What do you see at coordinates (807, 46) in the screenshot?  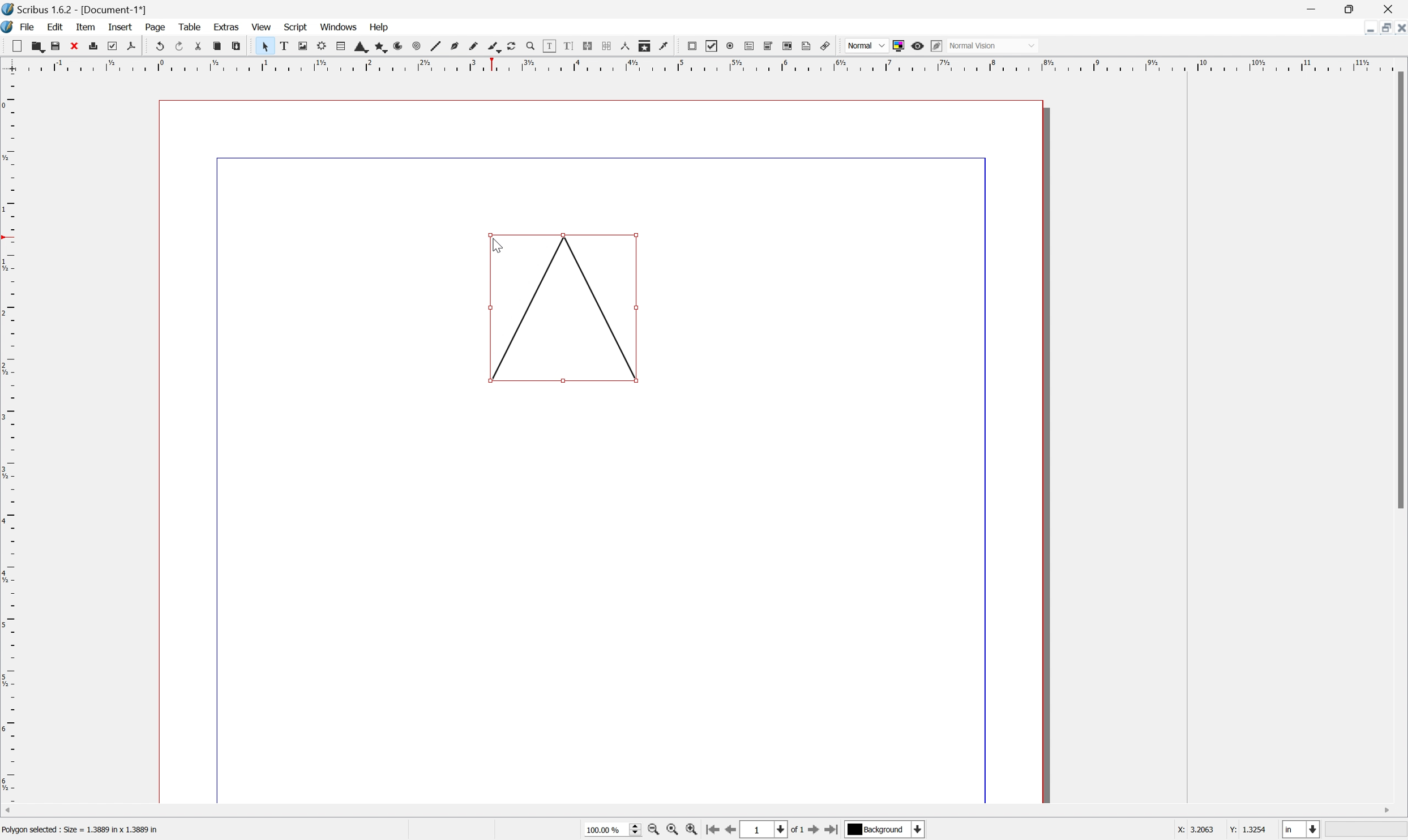 I see `Text annotation` at bounding box center [807, 46].